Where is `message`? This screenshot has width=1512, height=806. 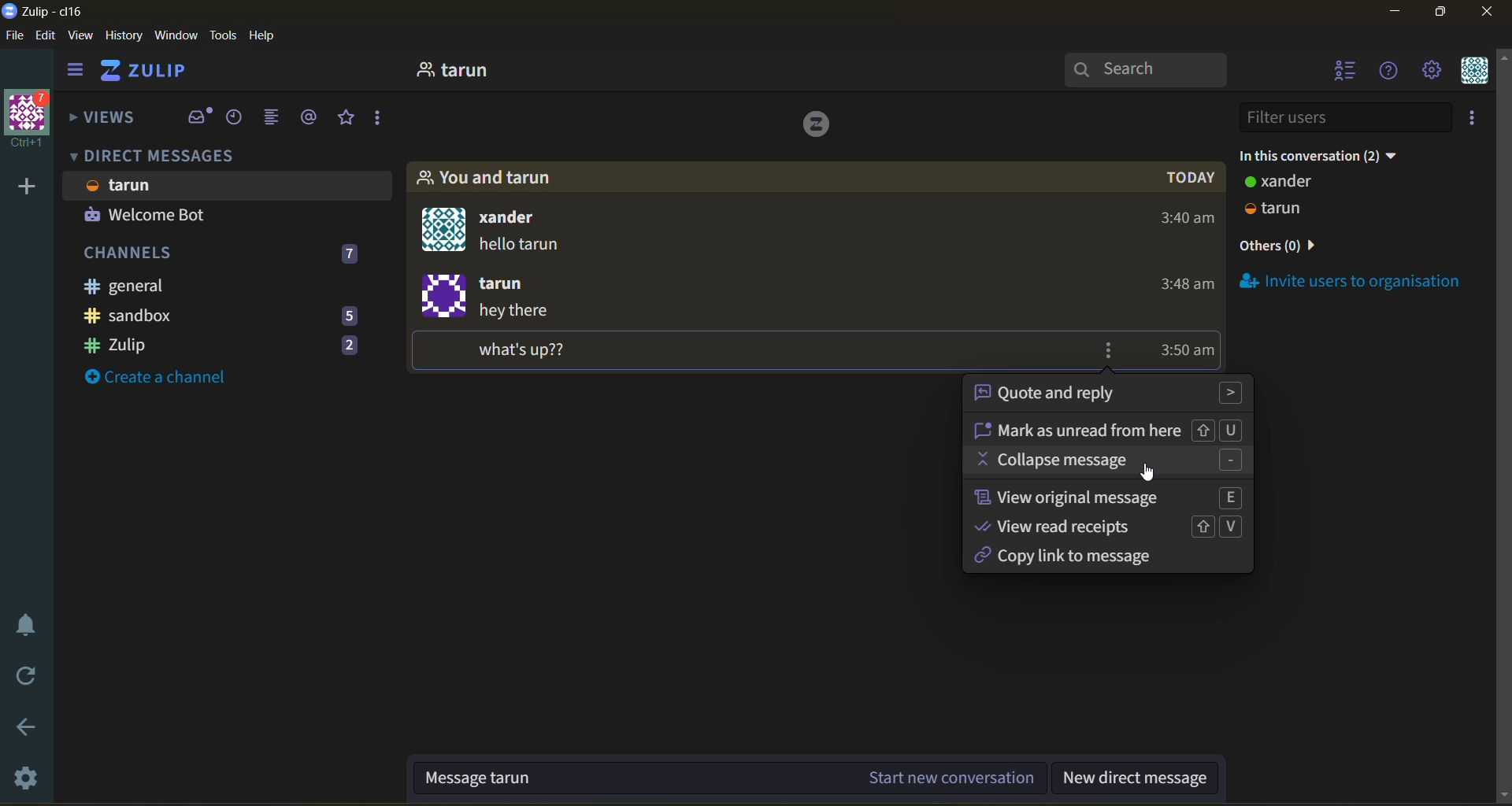 message is located at coordinates (527, 249).